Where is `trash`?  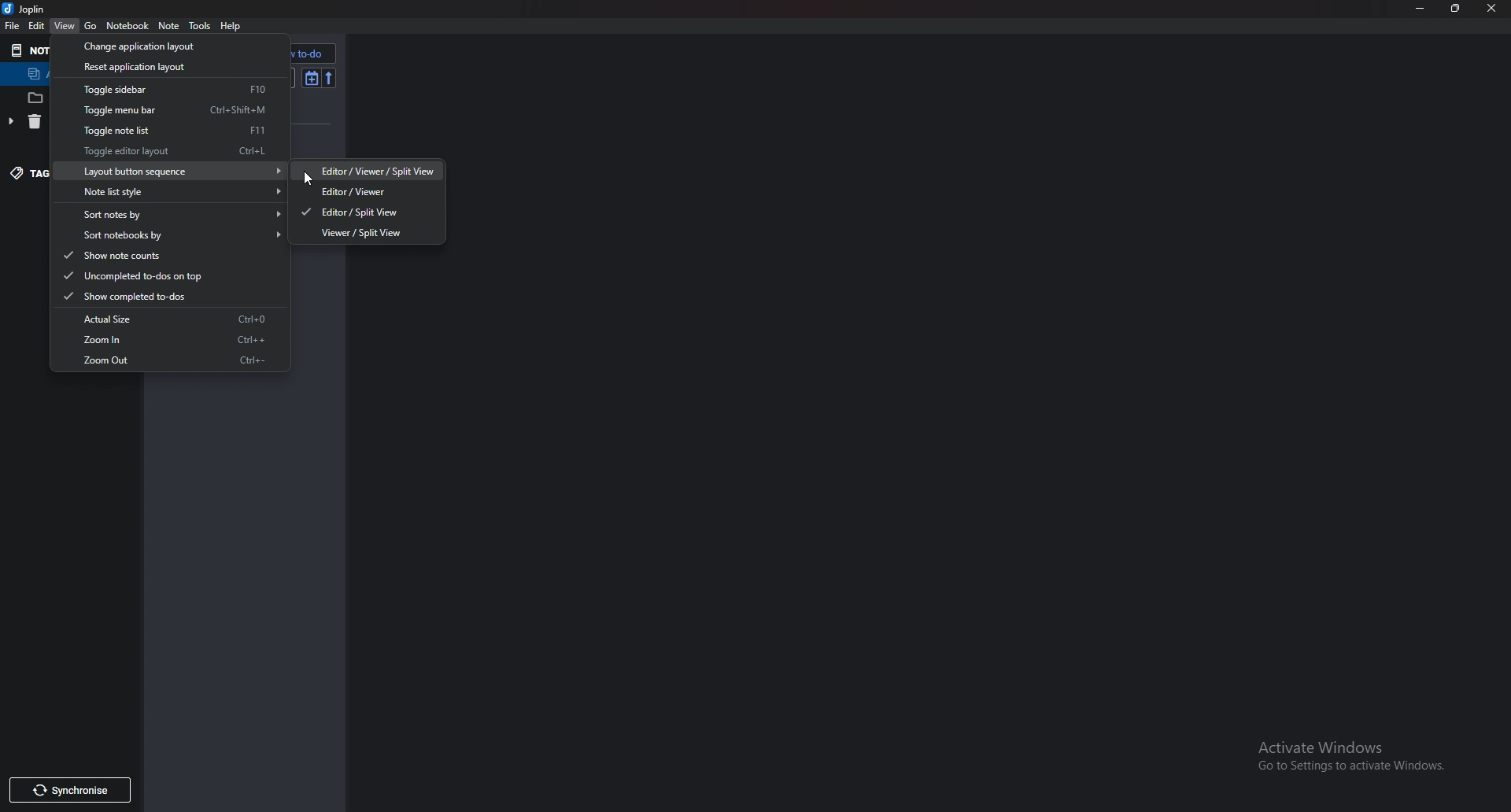 trash is located at coordinates (27, 123).